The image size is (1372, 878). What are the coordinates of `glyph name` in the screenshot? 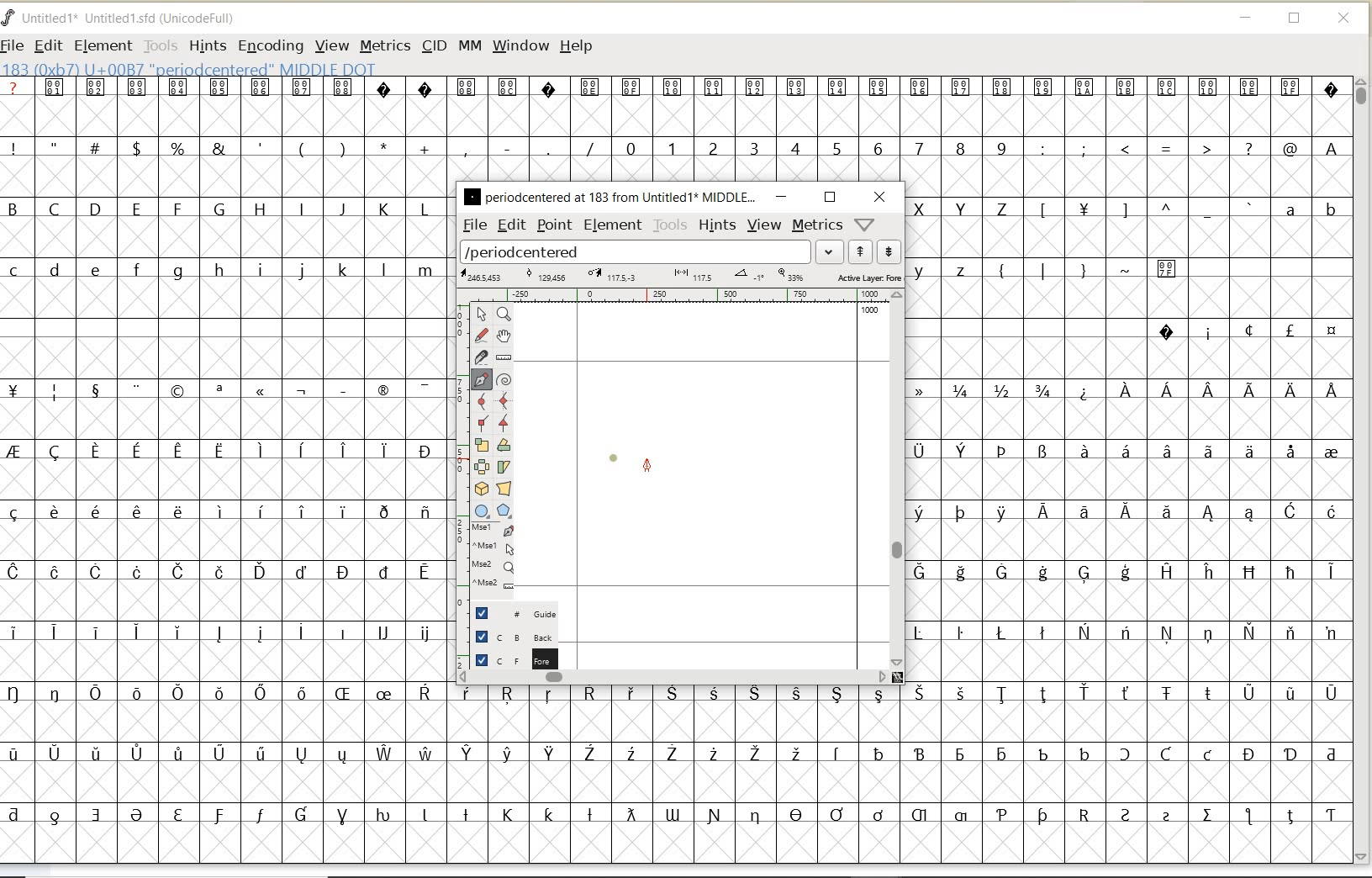 It's located at (609, 196).